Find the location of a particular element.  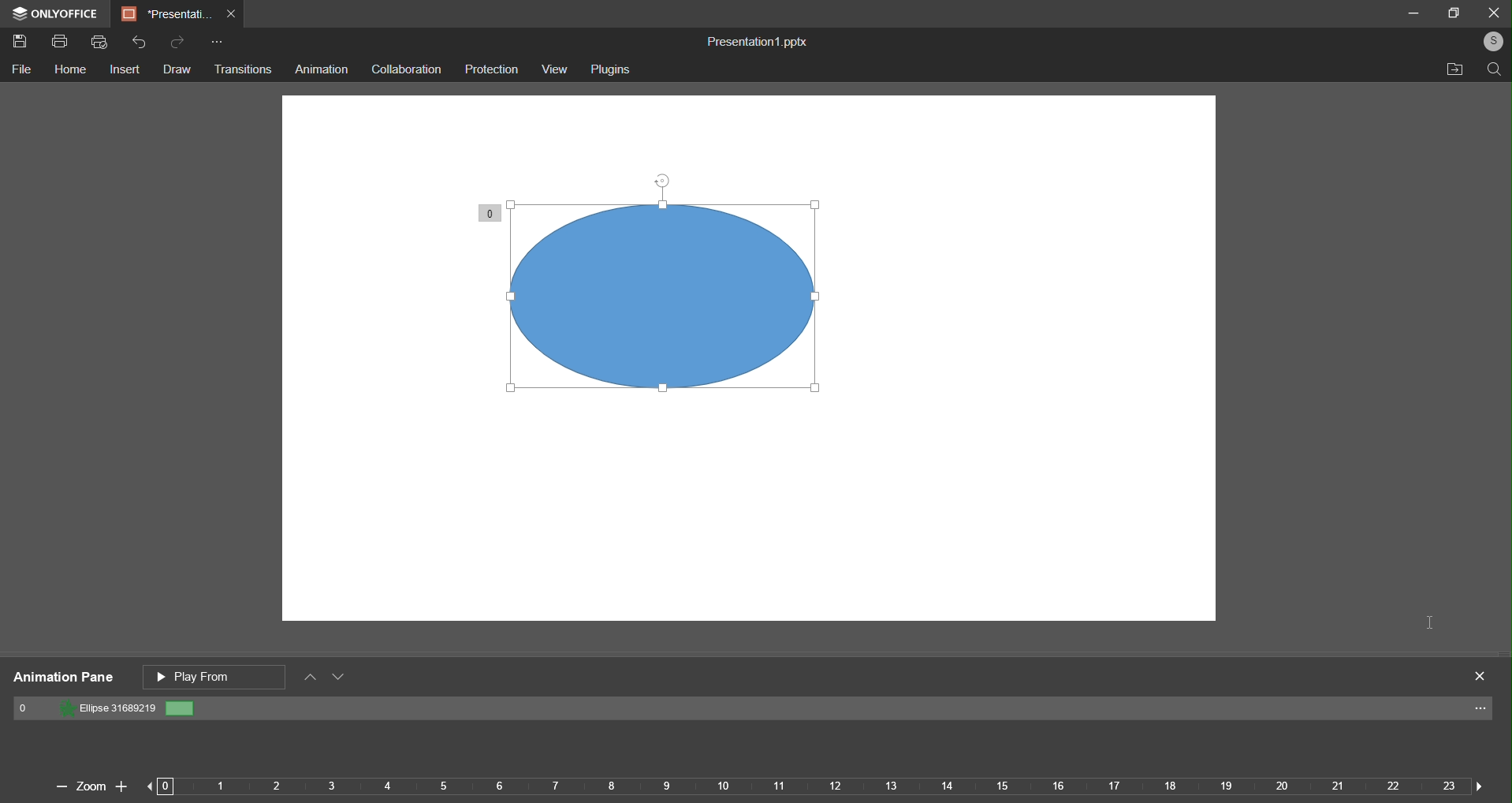

Print is located at coordinates (59, 43).